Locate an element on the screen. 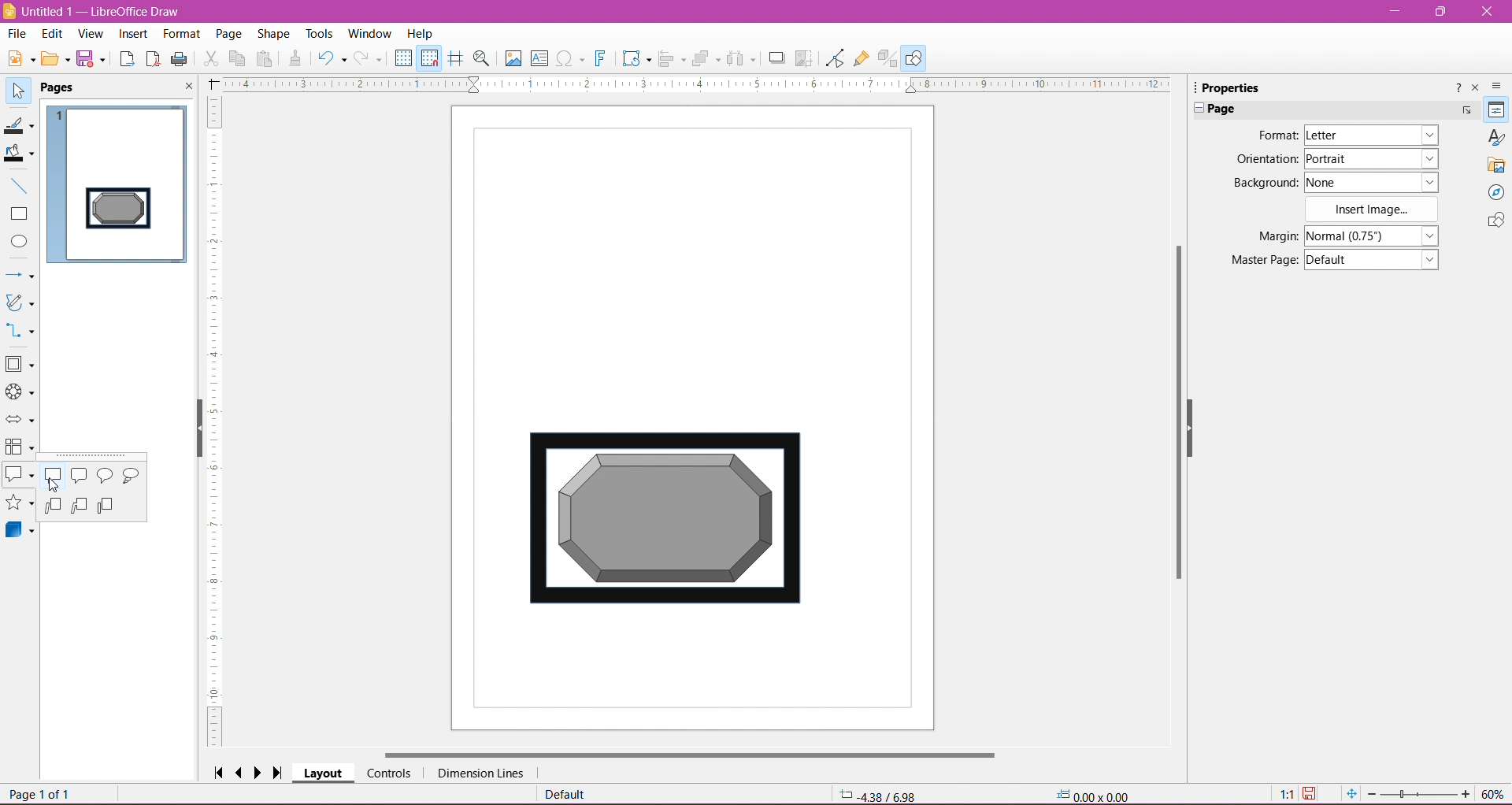 This screenshot has height=805, width=1512. Vertical Scroll bar is located at coordinates (1178, 418).